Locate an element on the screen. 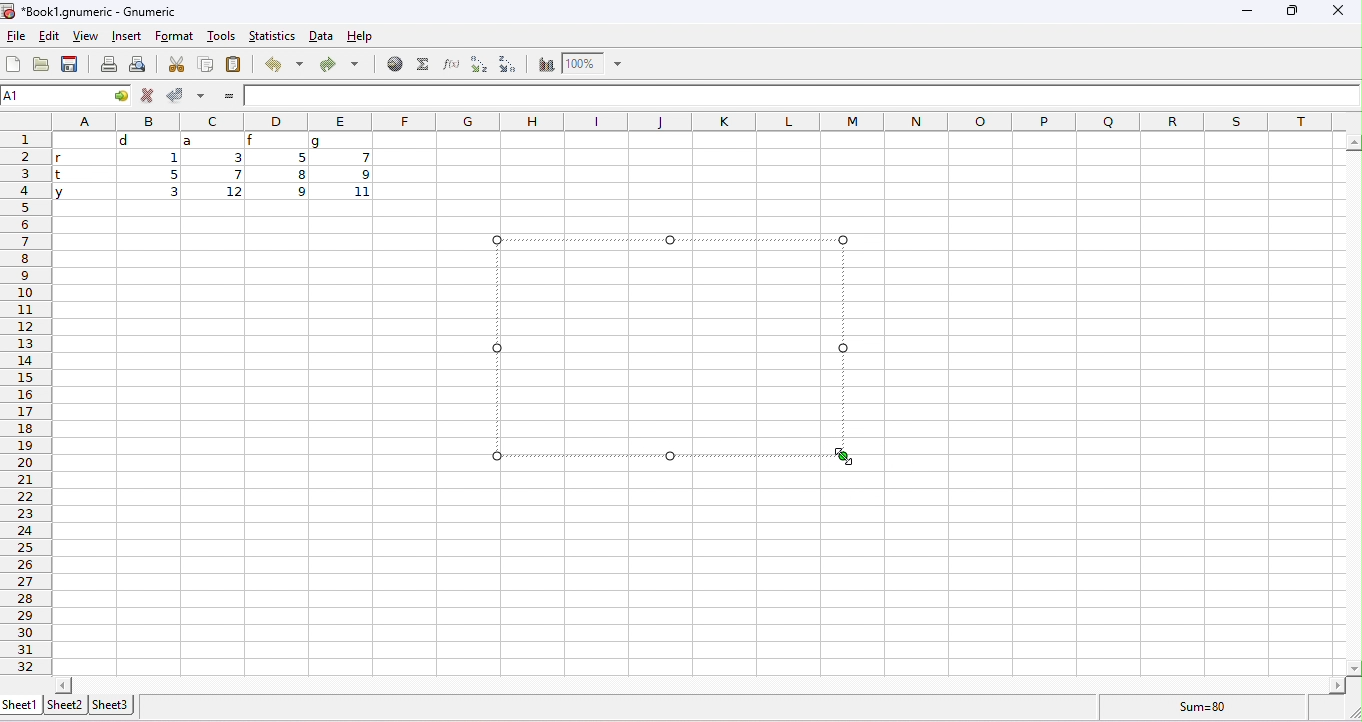 Image resolution: width=1362 pixels, height=722 pixels. sheet1 is located at coordinates (20, 704).